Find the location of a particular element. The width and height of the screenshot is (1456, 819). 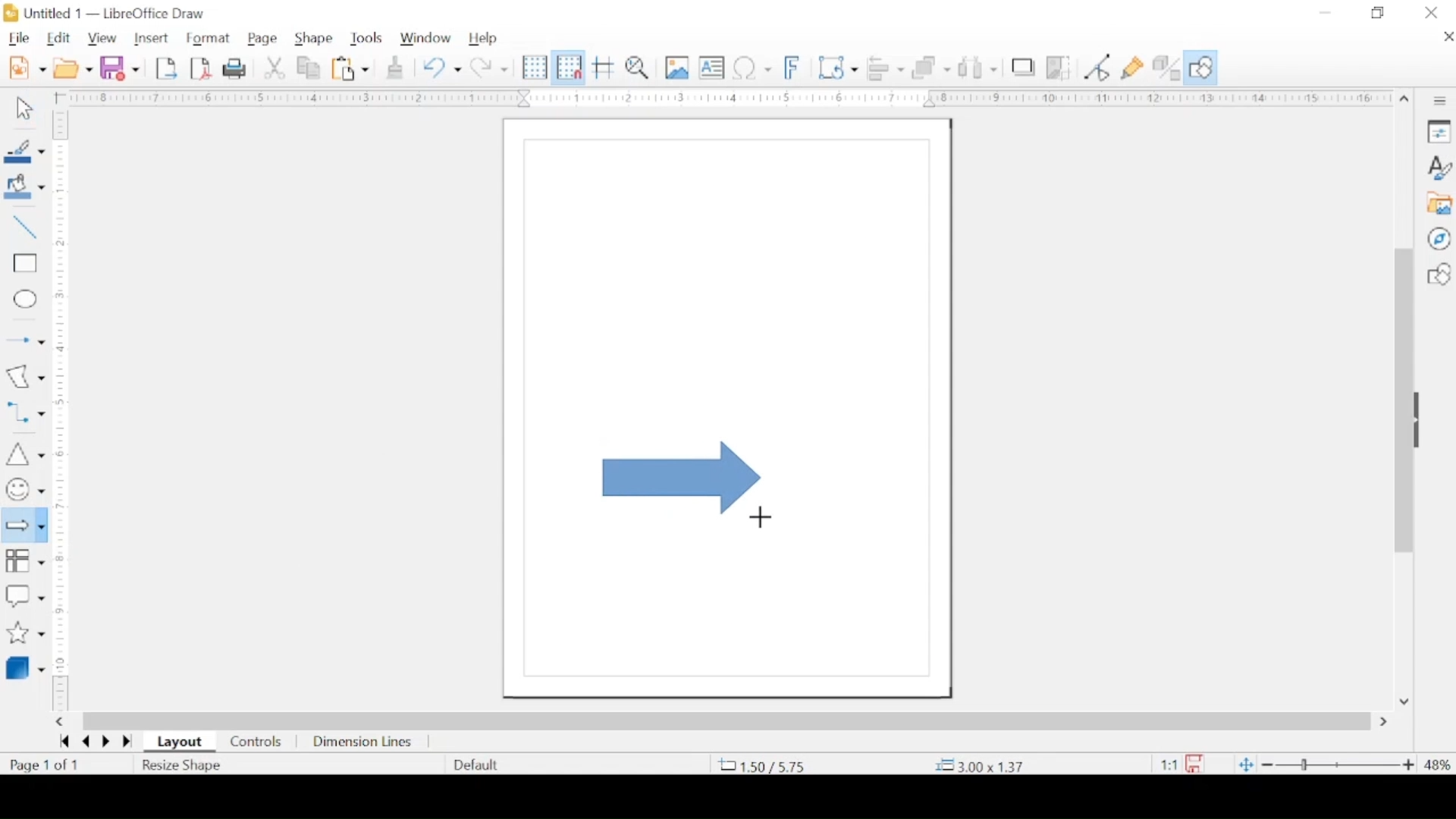

insert font work text is located at coordinates (792, 67).